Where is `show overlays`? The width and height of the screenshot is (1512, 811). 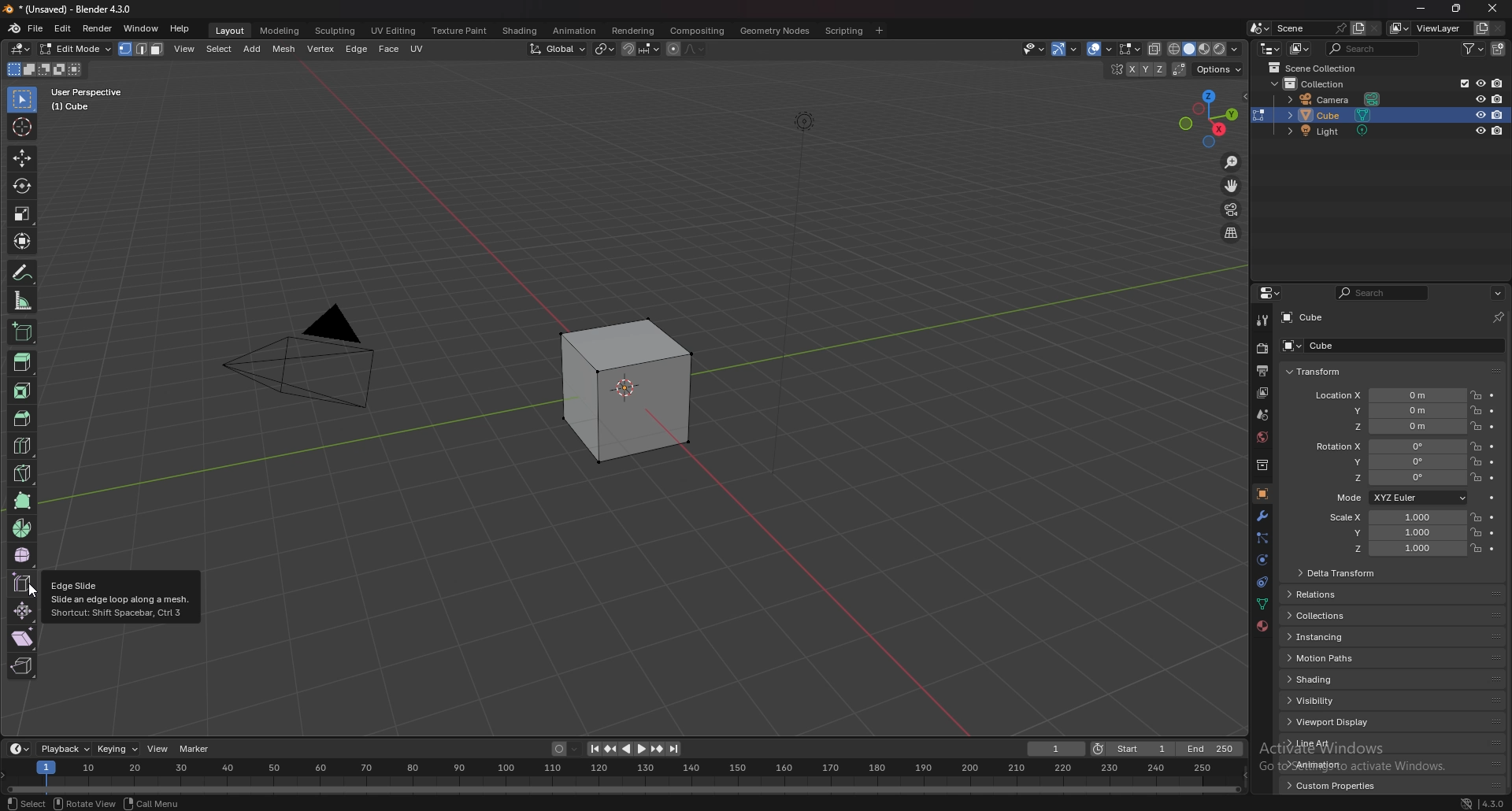 show overlays is located at coordinates (1128, 49).